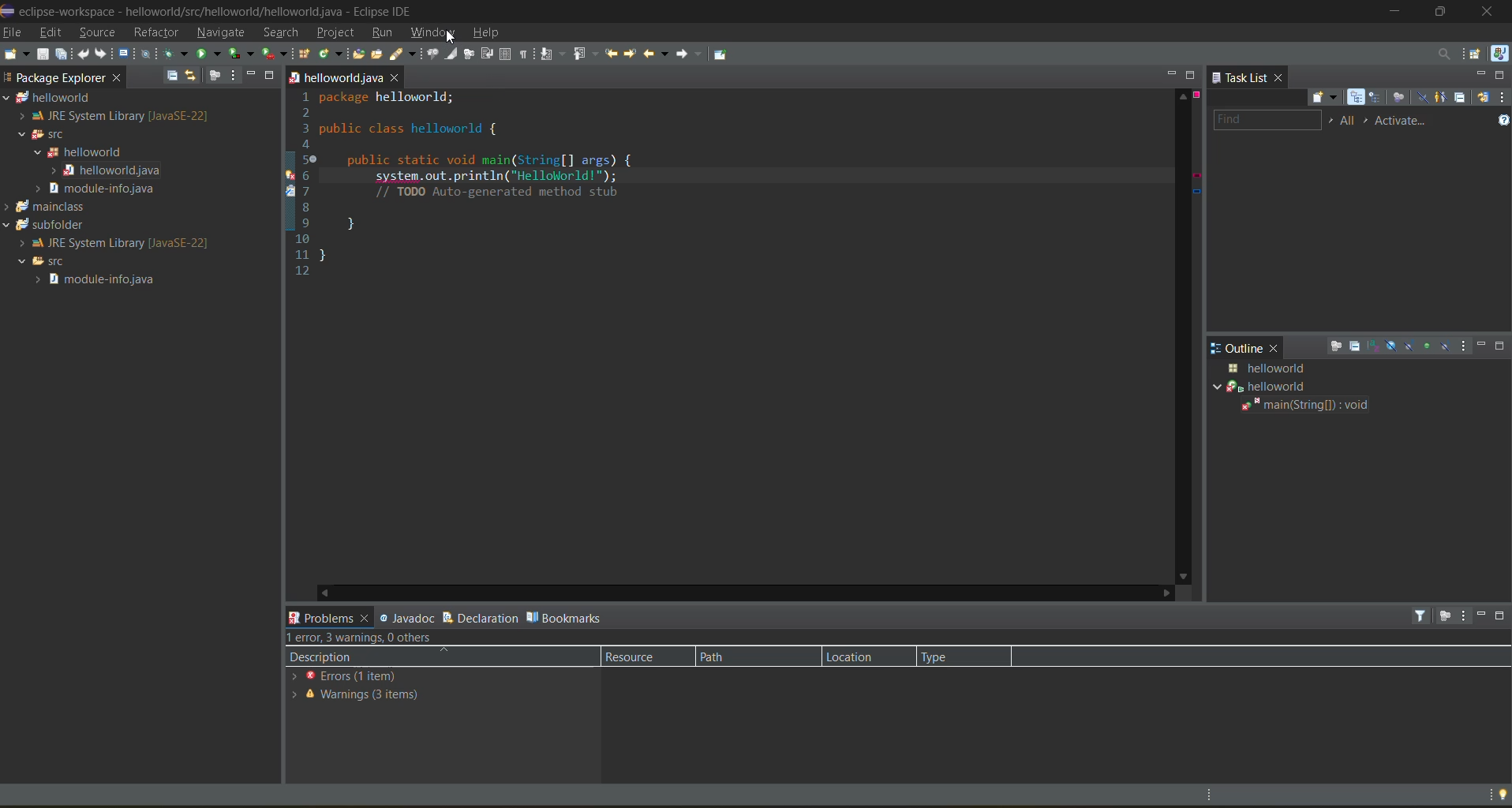  I want to click on minimize, so click(1395, 12).